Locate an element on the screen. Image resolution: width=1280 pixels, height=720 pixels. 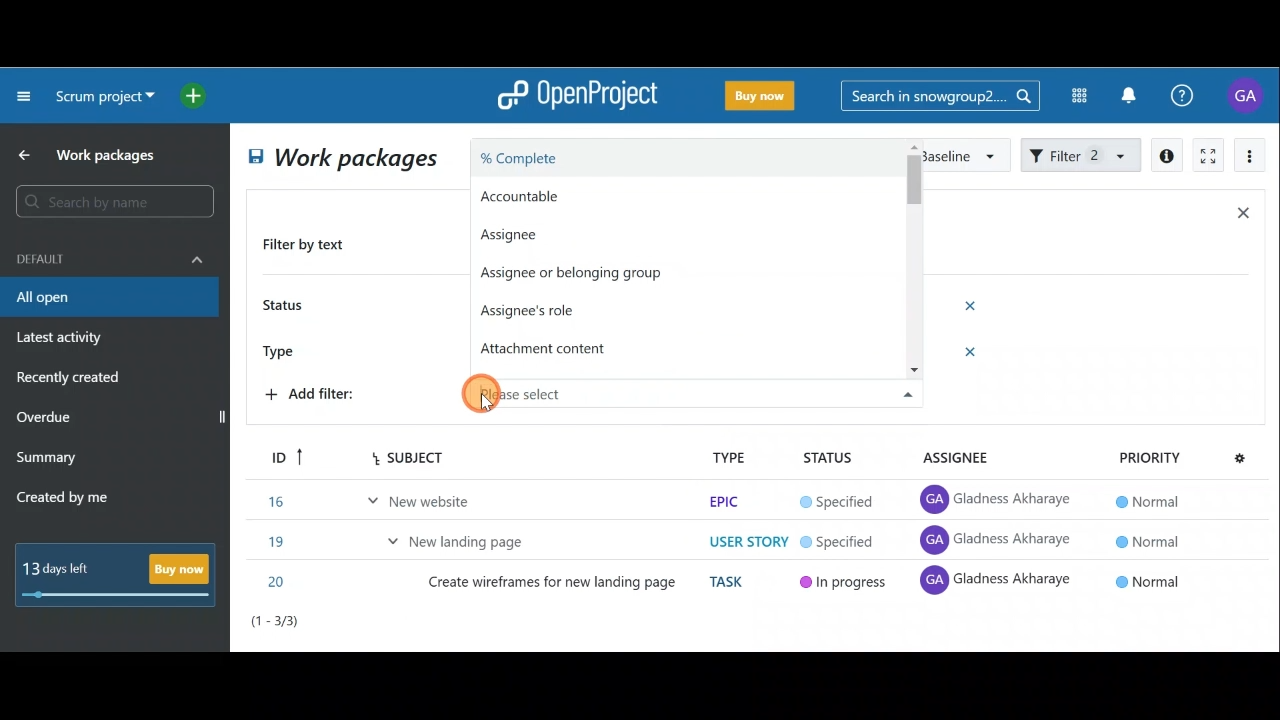
Buy now is located at coordinates (122, 574).